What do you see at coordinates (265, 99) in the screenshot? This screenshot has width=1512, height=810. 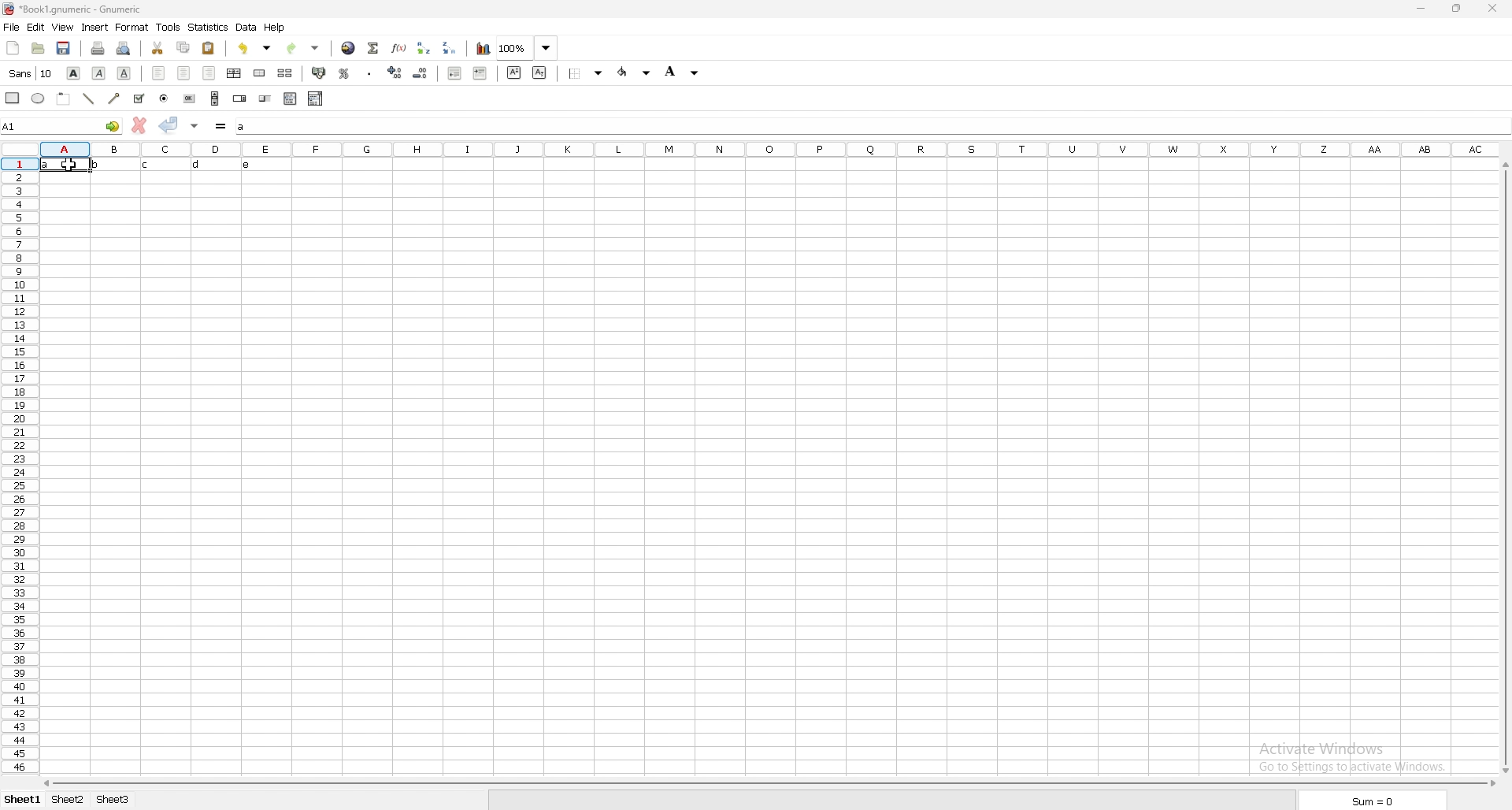 I see `slider` at bounding box center [265, 99].